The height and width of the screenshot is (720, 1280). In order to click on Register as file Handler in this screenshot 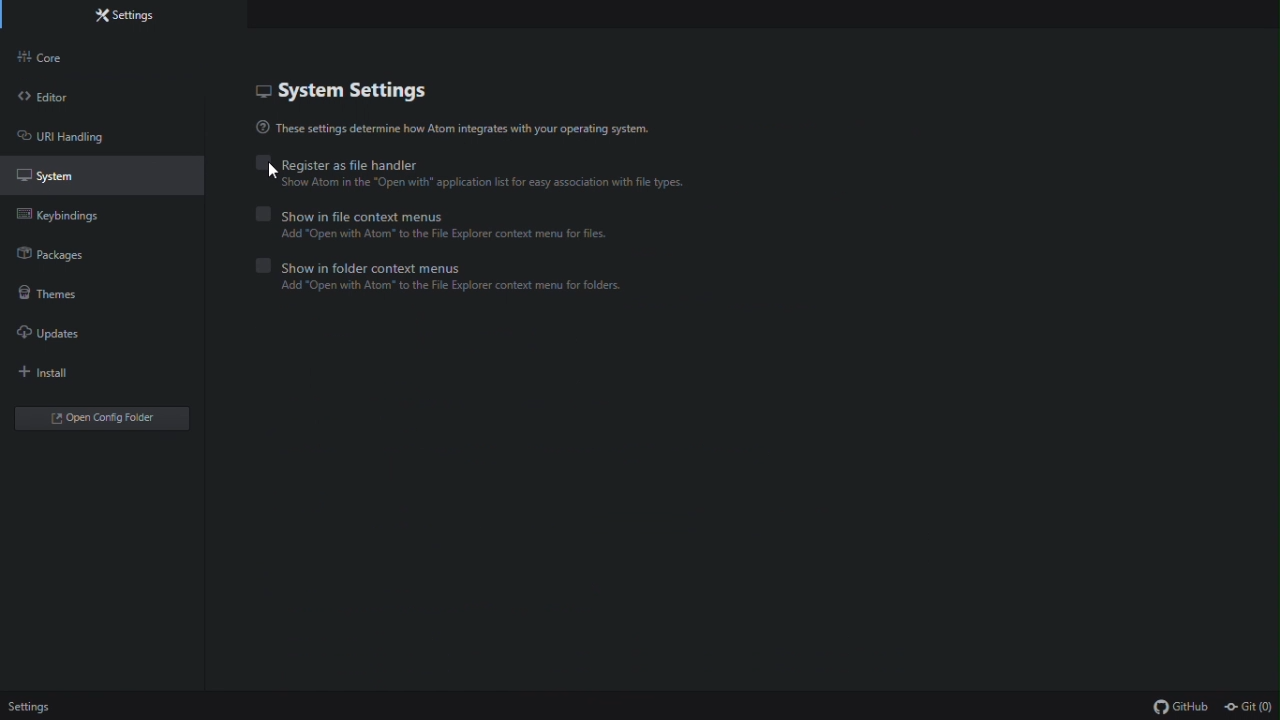, I will do `click(475, 164)`.